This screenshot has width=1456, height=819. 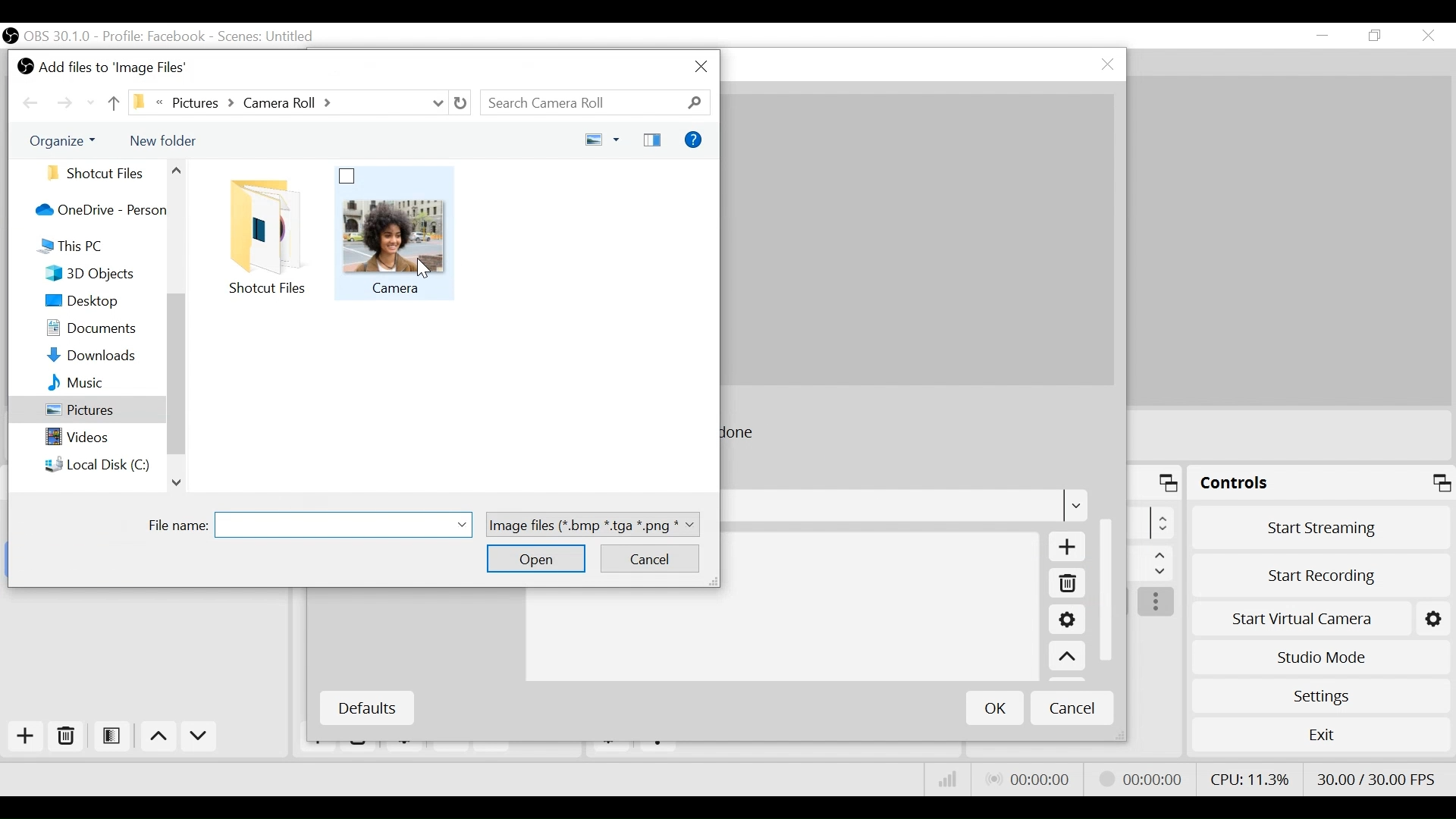 I want to click on Close, so click(x=1427, y=36).